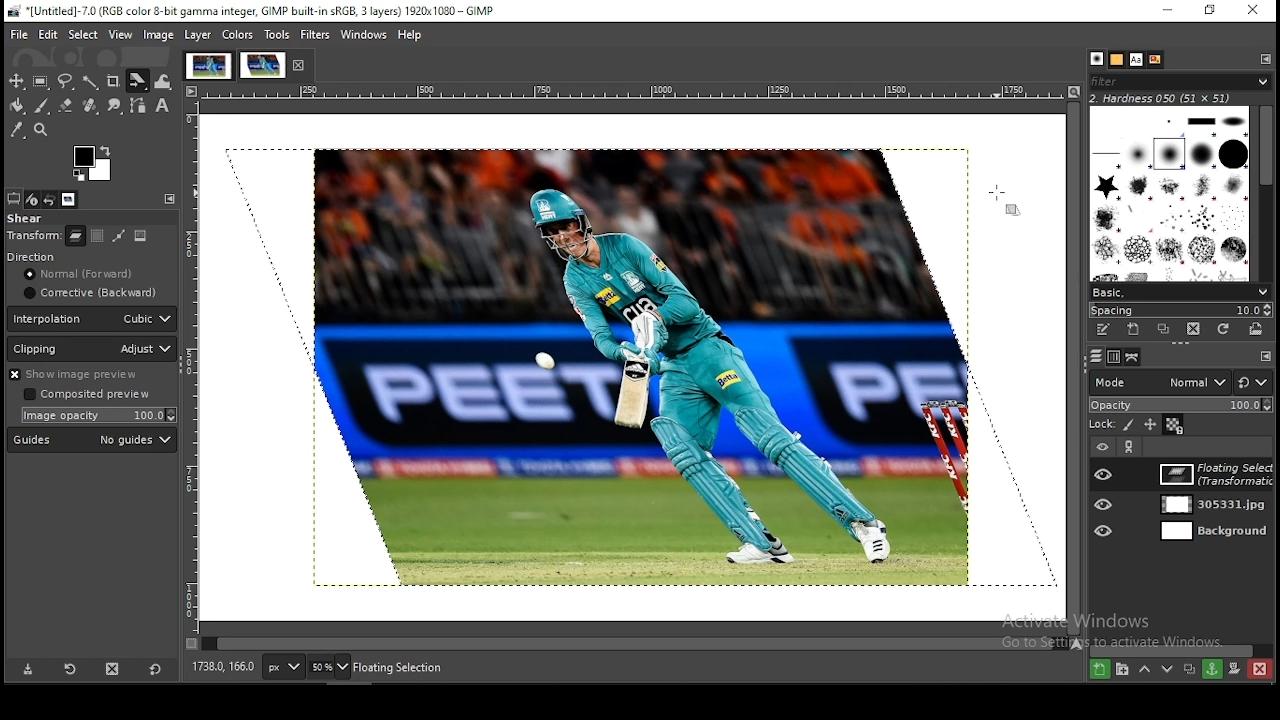 This screenshot has width=1280, height=720. Describe the element at coordinates (66, 105) in the screenshot. I see `` at that location.